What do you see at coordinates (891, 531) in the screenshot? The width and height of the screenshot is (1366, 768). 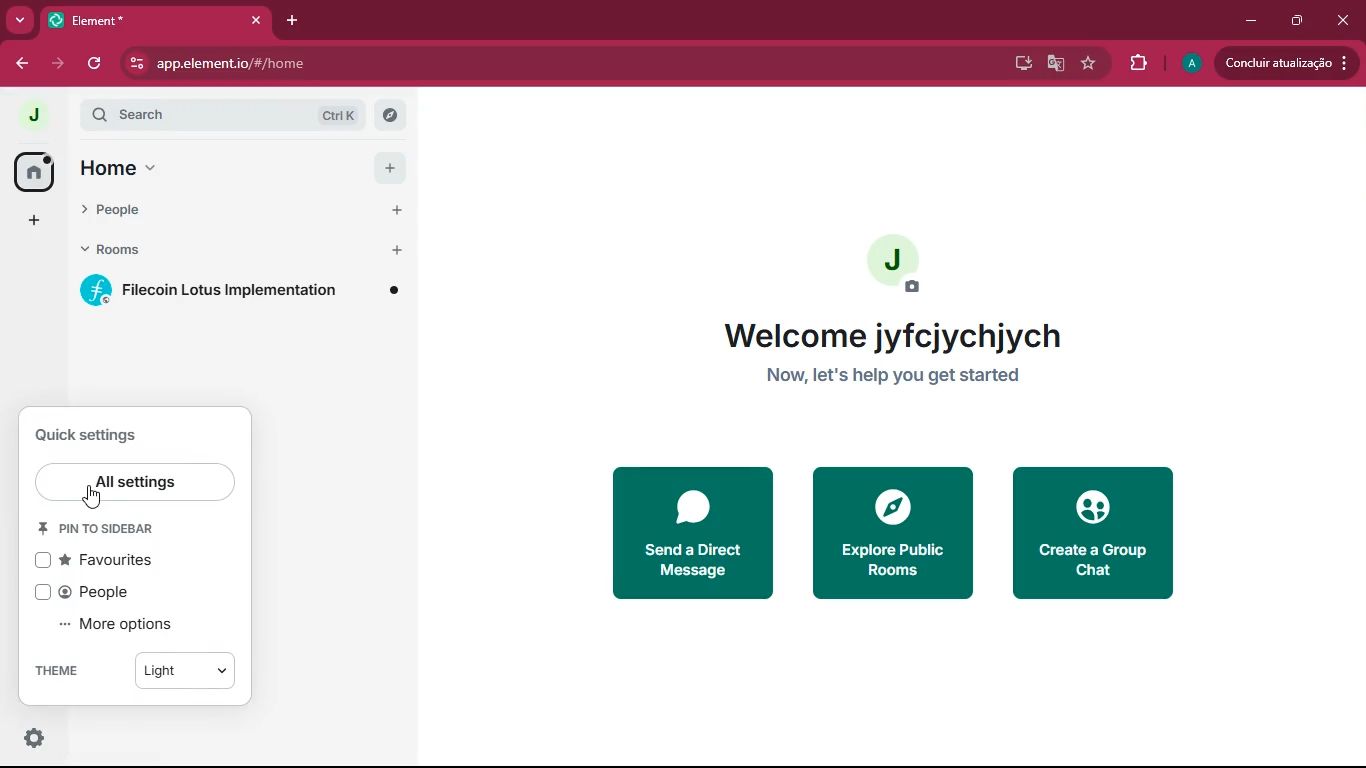 I see `explore public rooms` at bounding box center [891, 531].